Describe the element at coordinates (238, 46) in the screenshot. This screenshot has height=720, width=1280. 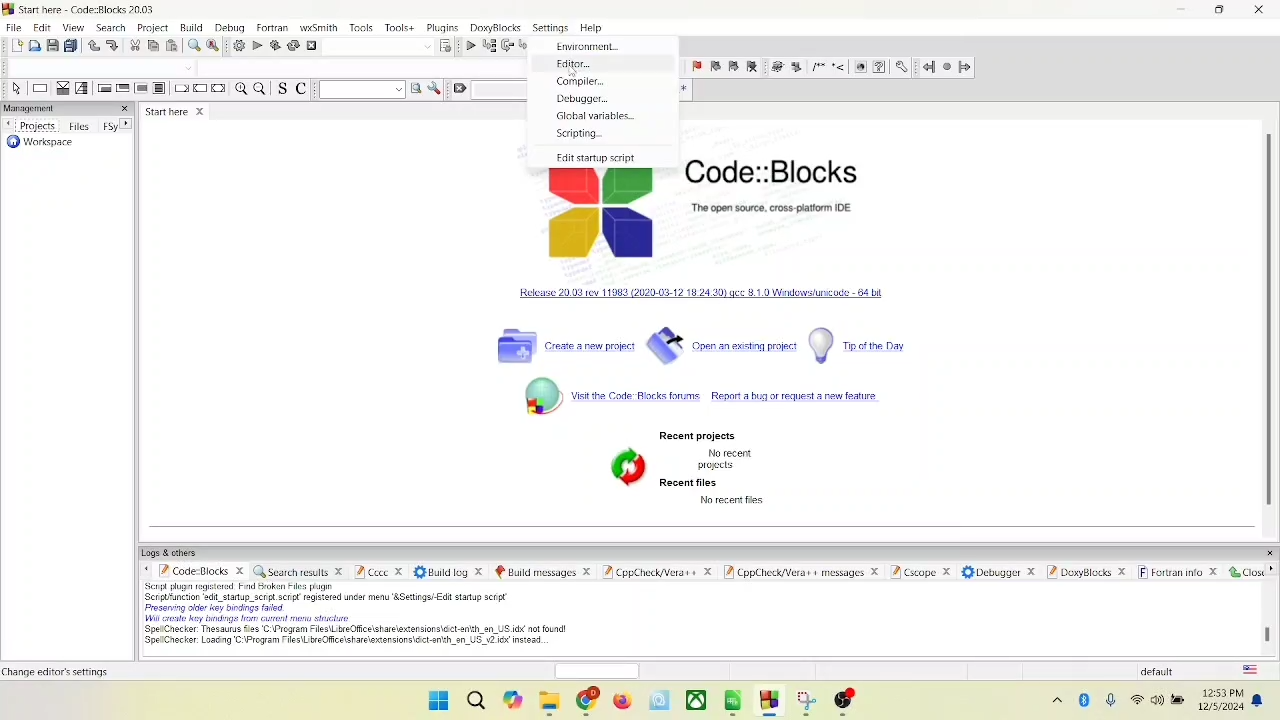
I see `build` at that location.